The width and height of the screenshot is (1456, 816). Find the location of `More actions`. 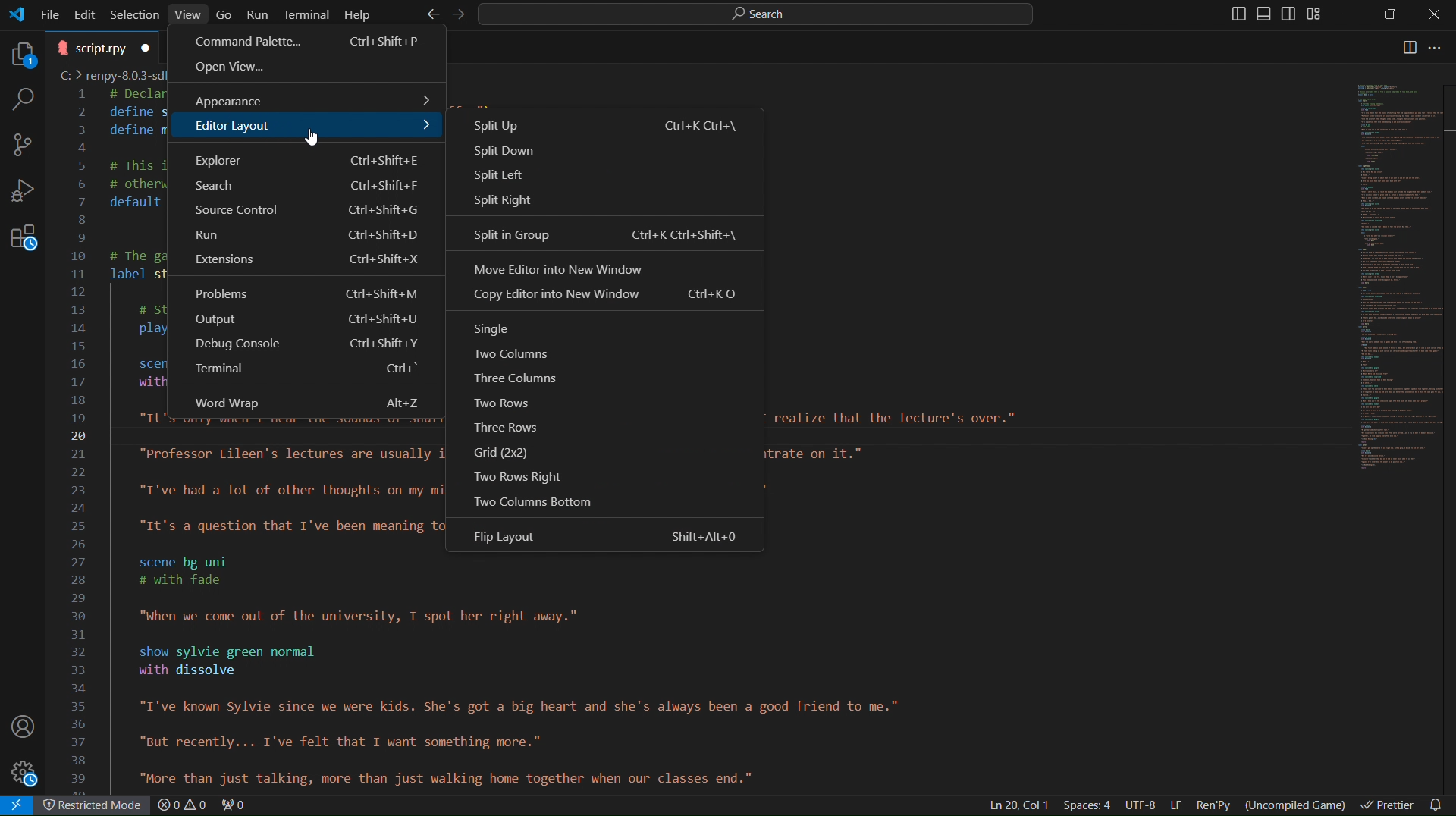

More actions is located at coordinates (1443, 49).